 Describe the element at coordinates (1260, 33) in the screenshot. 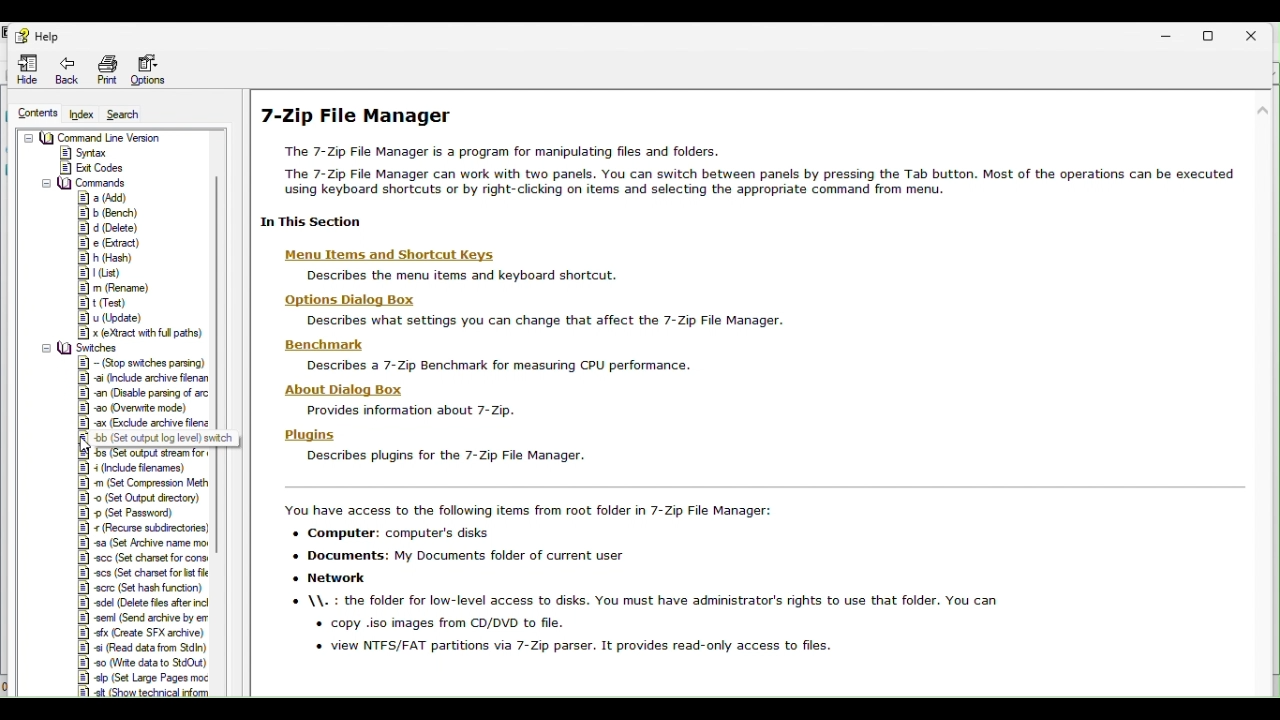

I see `Close` at that location.